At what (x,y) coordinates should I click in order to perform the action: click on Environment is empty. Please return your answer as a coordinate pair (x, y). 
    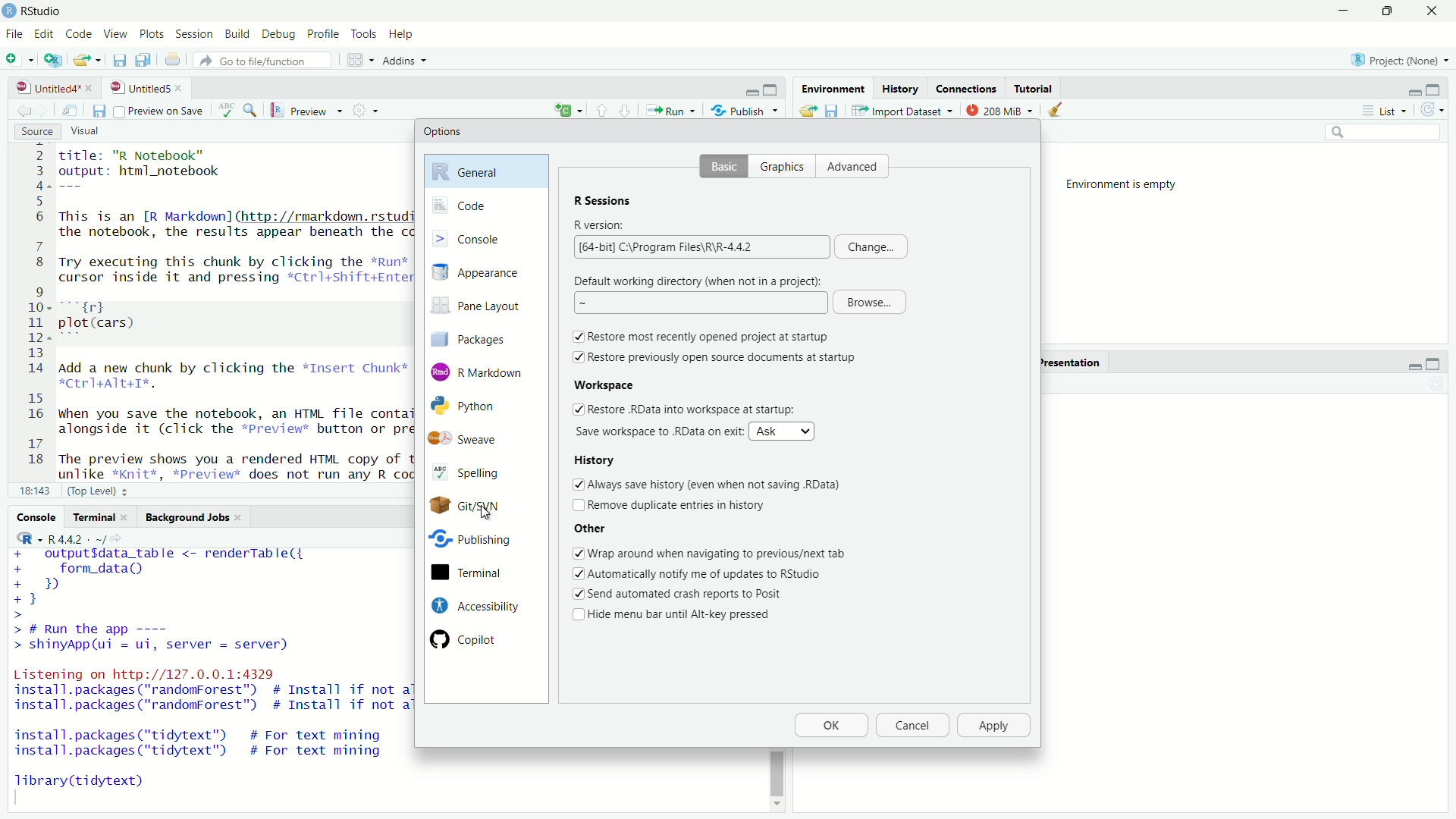
    Looking at the image, I should click on (1127, 185).